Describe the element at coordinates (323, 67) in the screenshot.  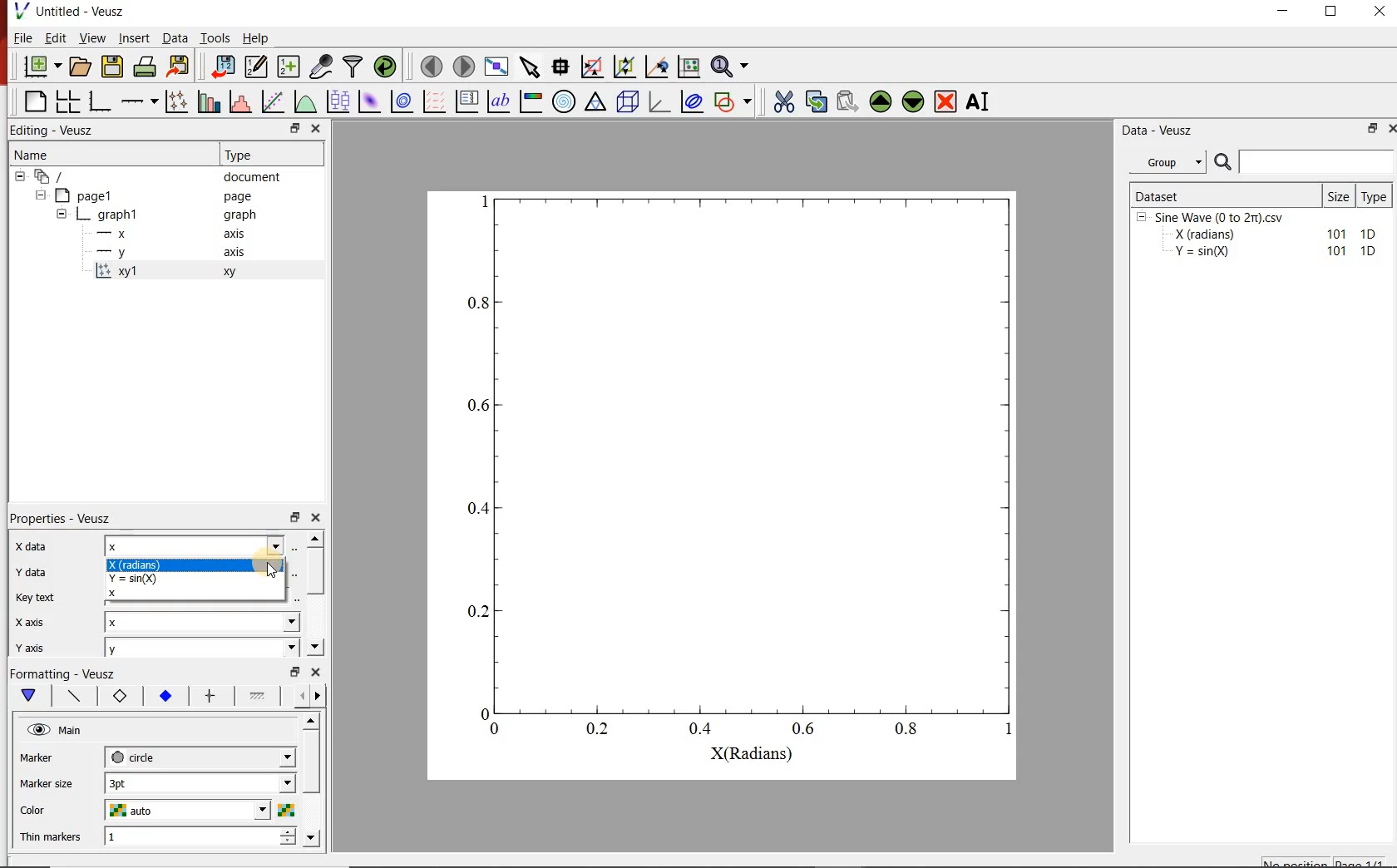
I see `capture remote data` at that location.